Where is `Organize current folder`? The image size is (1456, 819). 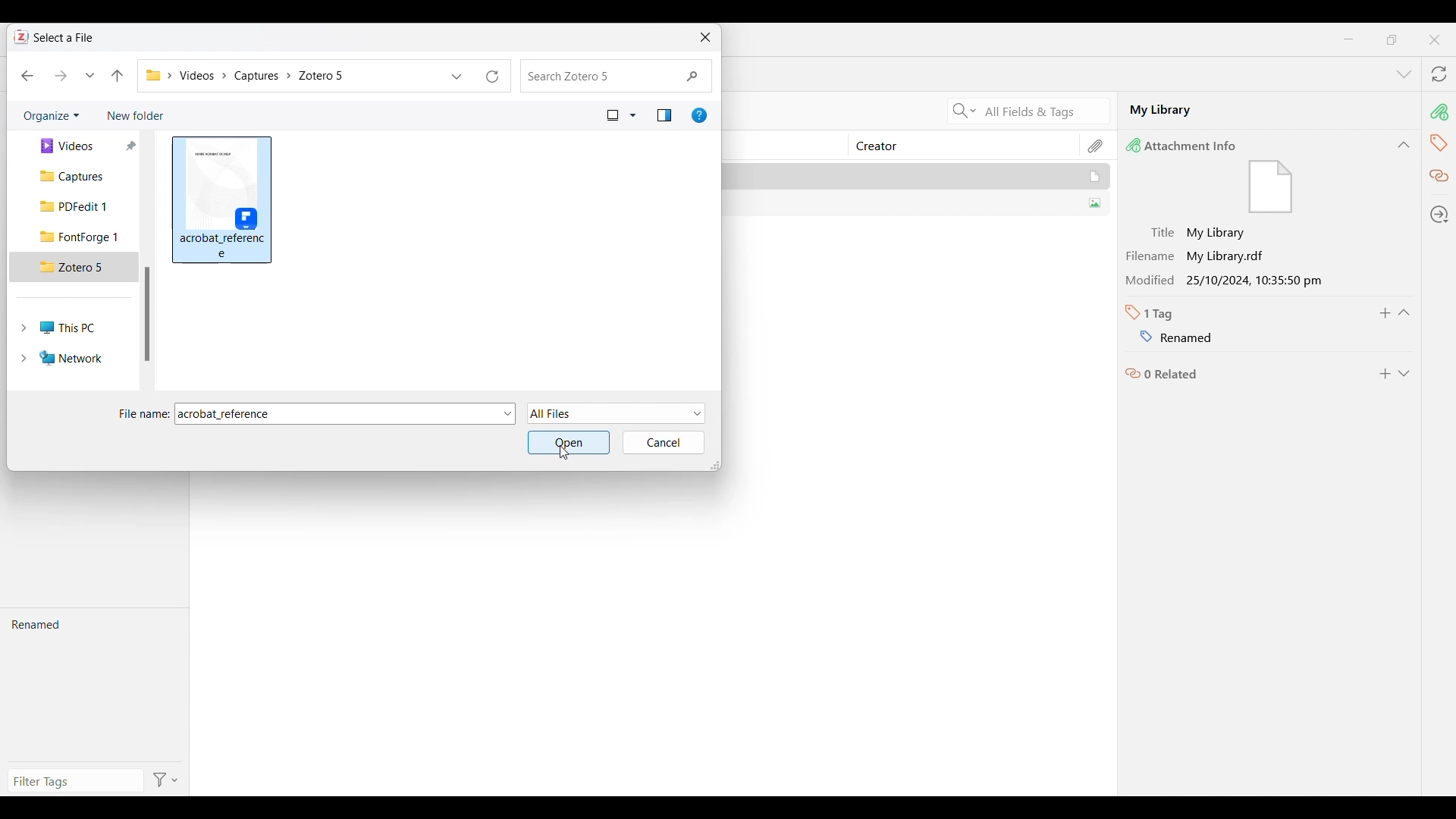
Organize current folder is located at coordinates (52, 117).